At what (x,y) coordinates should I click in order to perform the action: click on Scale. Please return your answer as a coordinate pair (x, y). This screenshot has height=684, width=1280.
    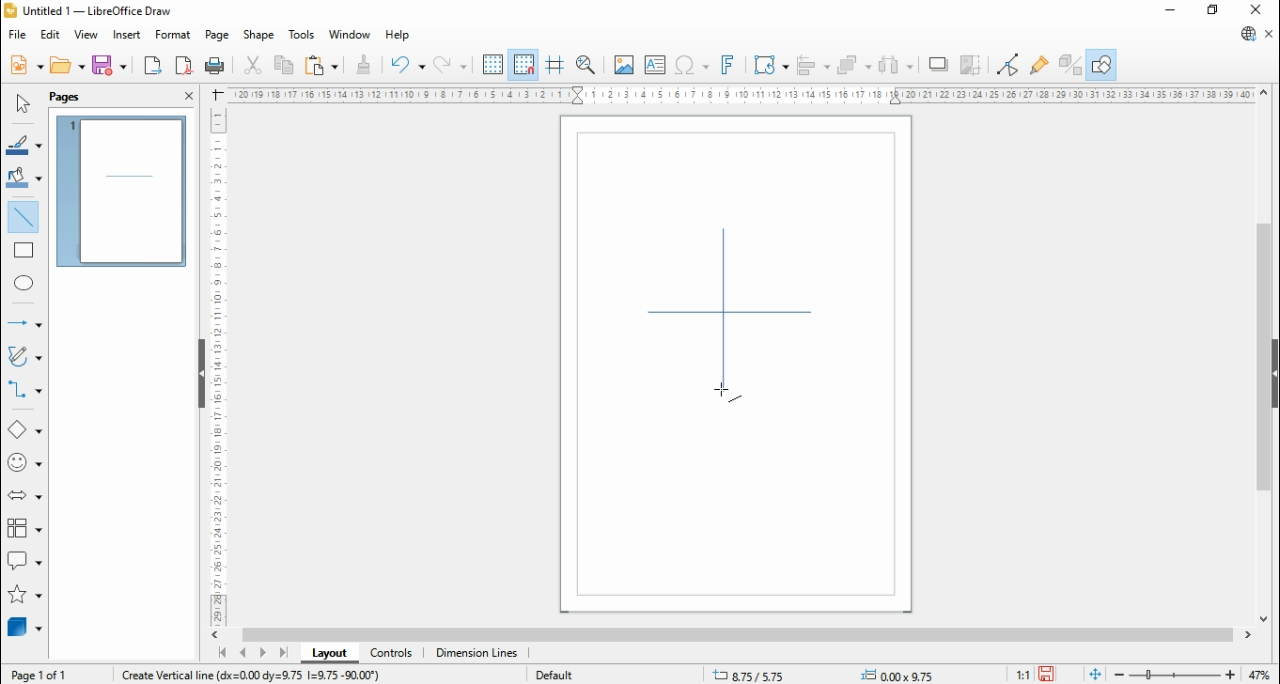
    Looking at the image, I should click on (738, 94).